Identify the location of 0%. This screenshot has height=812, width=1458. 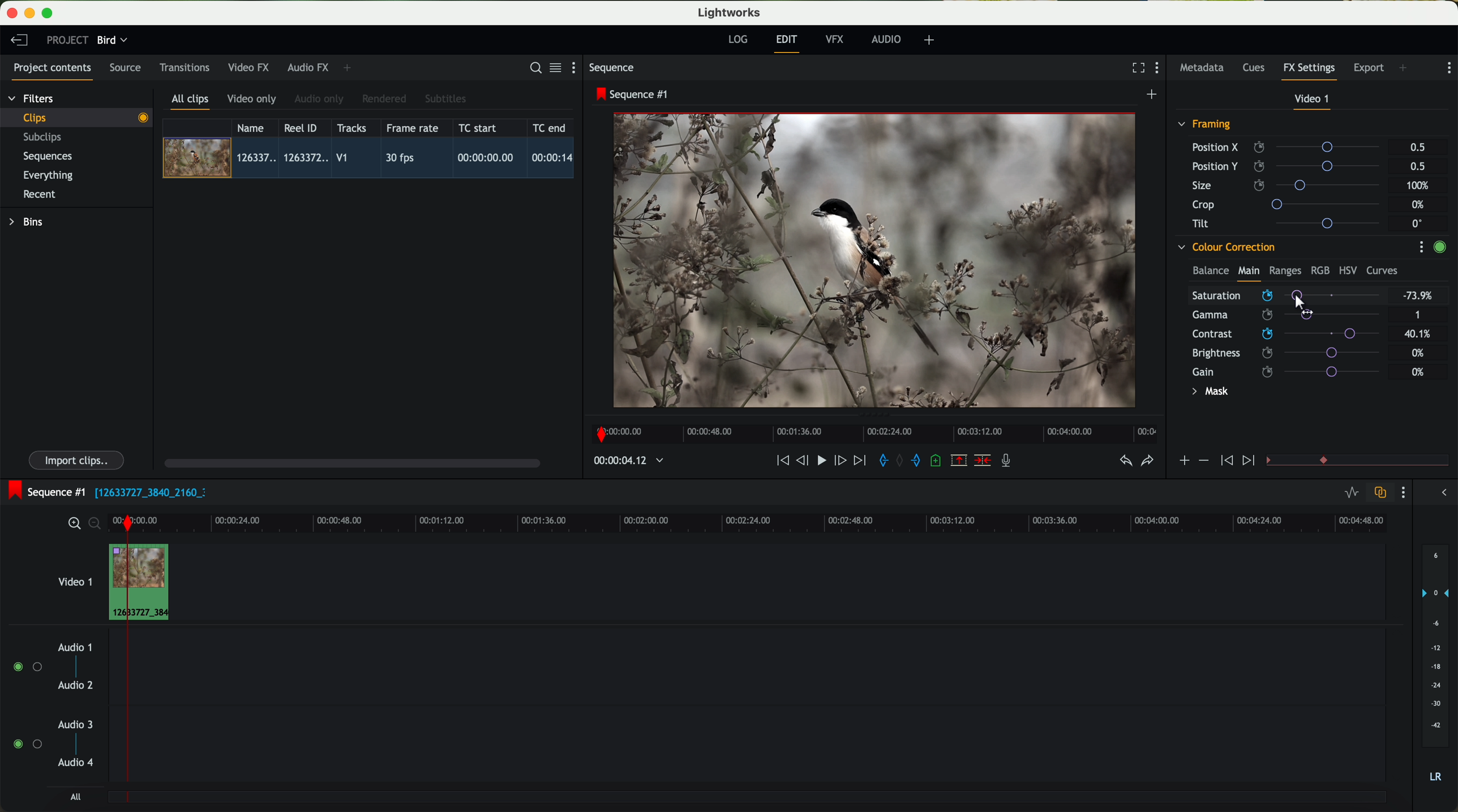
(1420, 205).